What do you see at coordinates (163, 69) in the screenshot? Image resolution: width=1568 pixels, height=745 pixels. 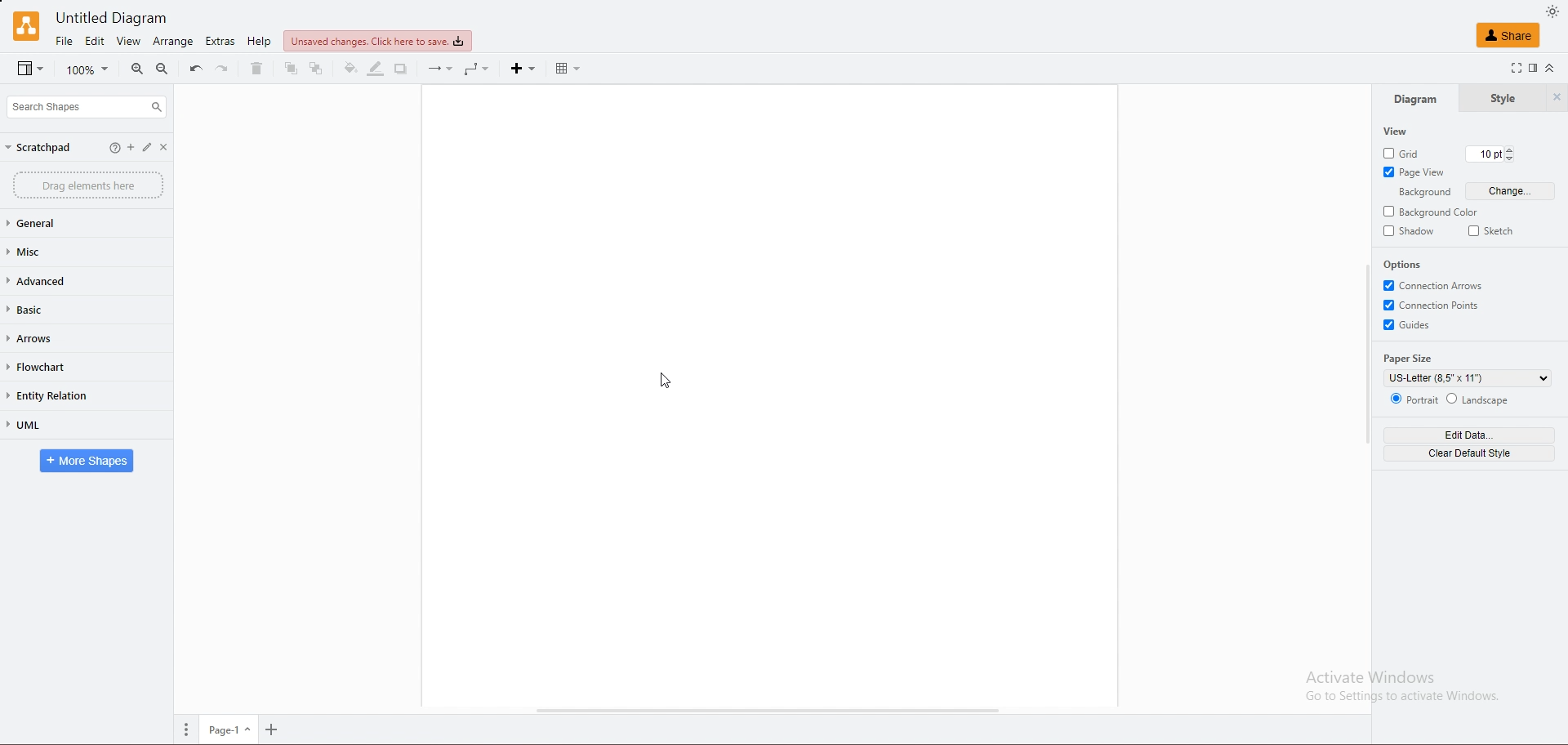 I see `zoom out` at bounding box center [163, 69].